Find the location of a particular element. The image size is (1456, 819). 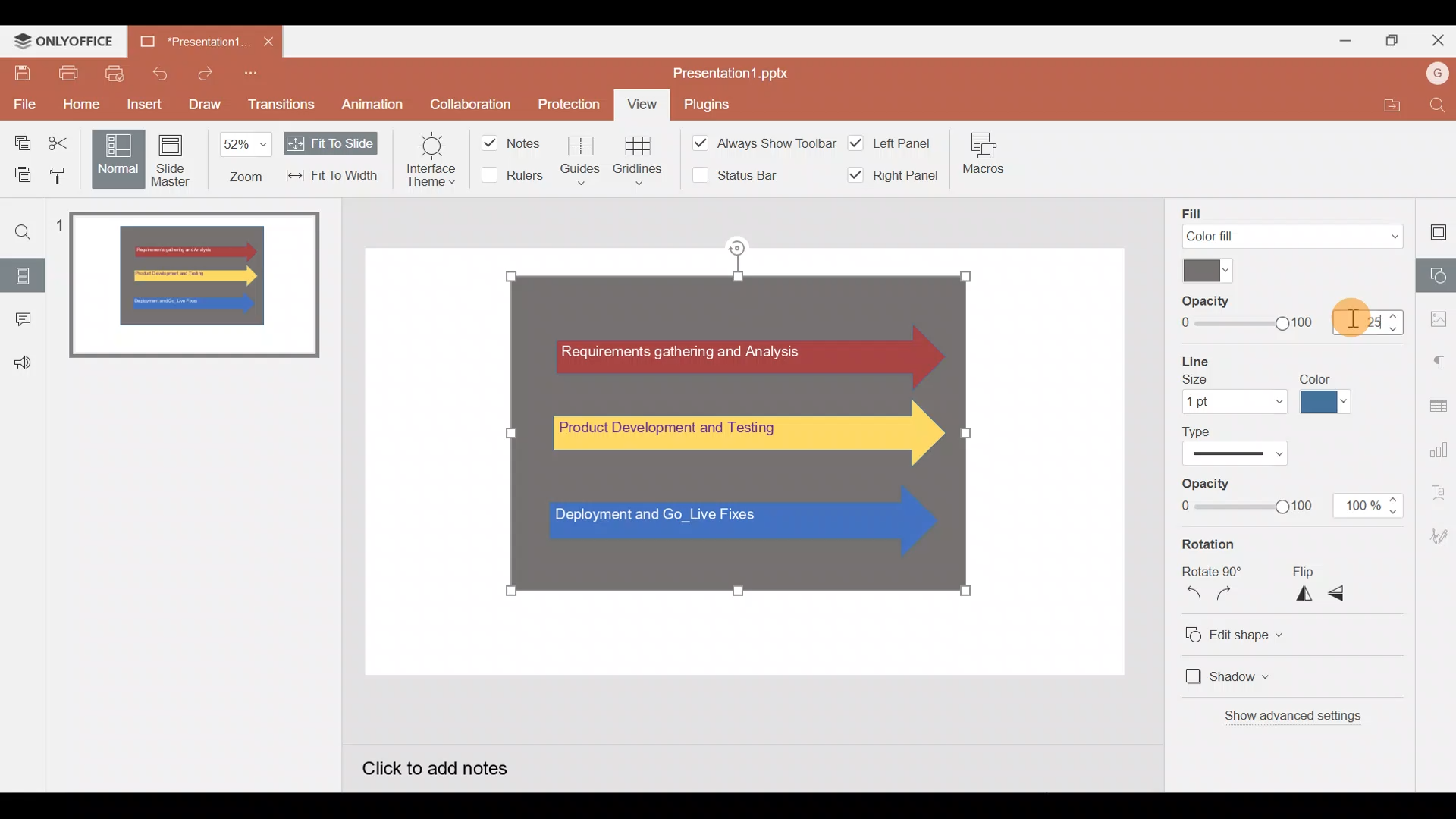

Slide master is located at coordinates (171, 160).